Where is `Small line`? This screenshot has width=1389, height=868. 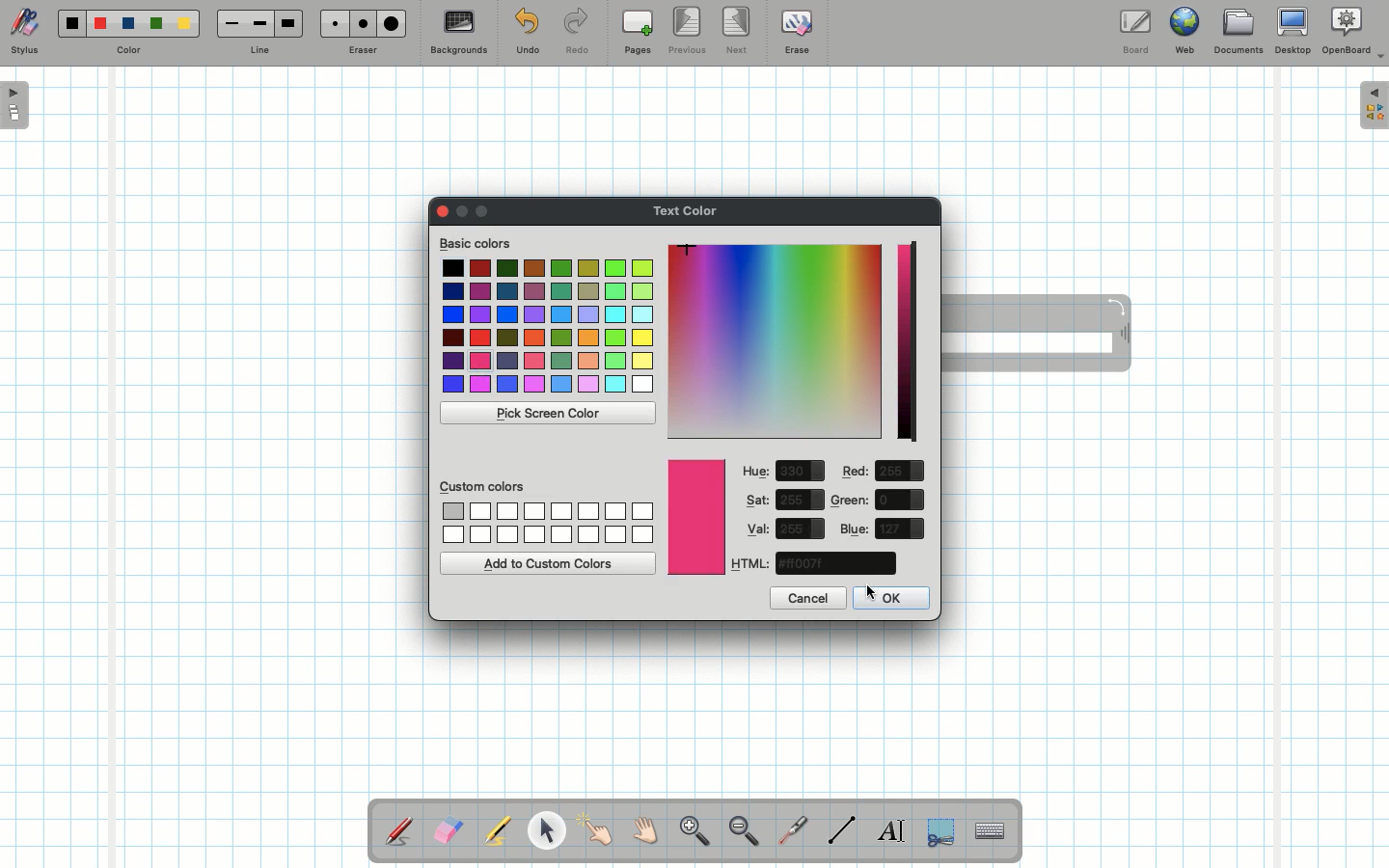 Small line is located at coordinates (229, 24).